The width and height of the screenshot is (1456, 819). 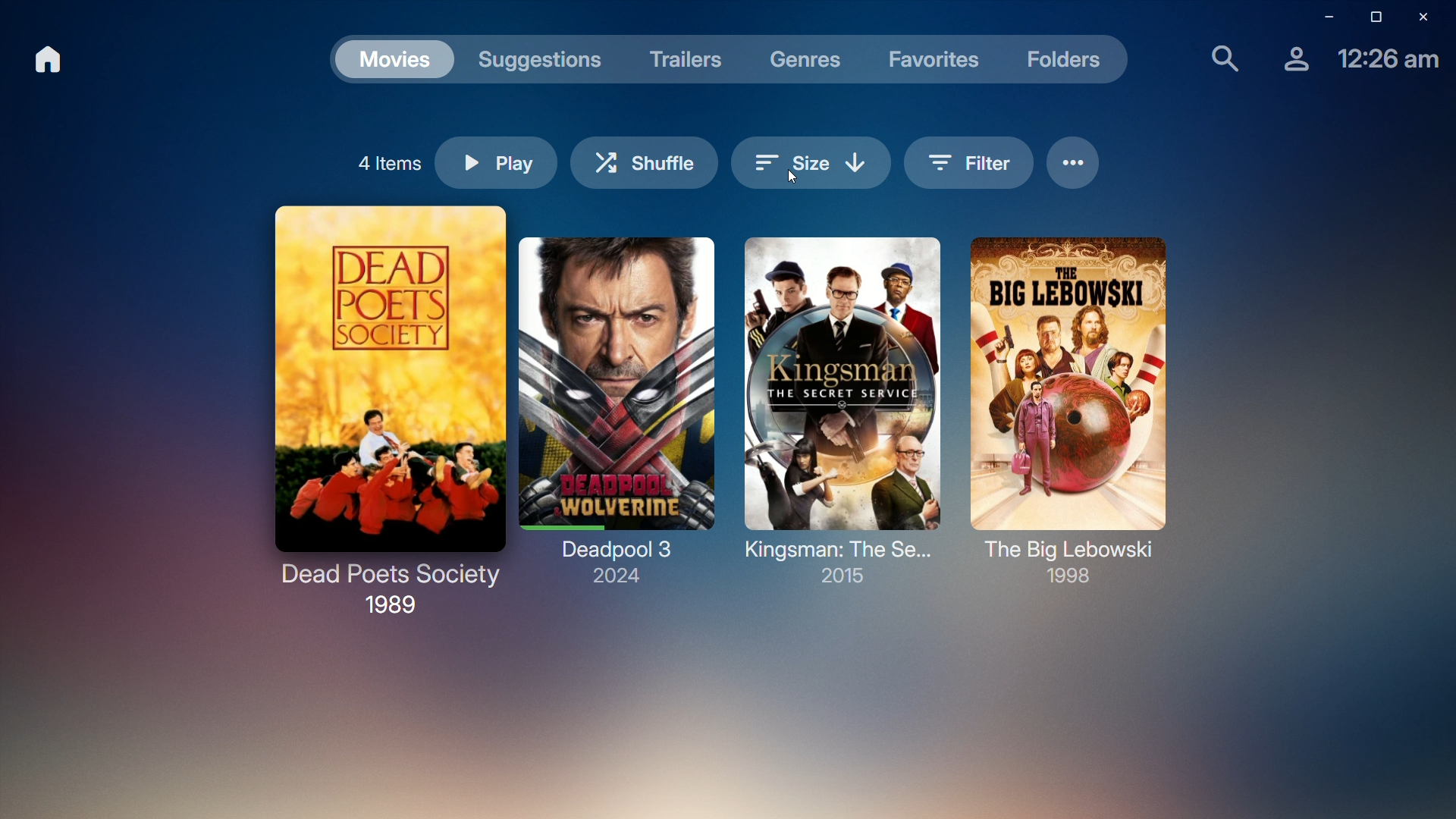 I want to click on Size, so click(x=811, y=148).